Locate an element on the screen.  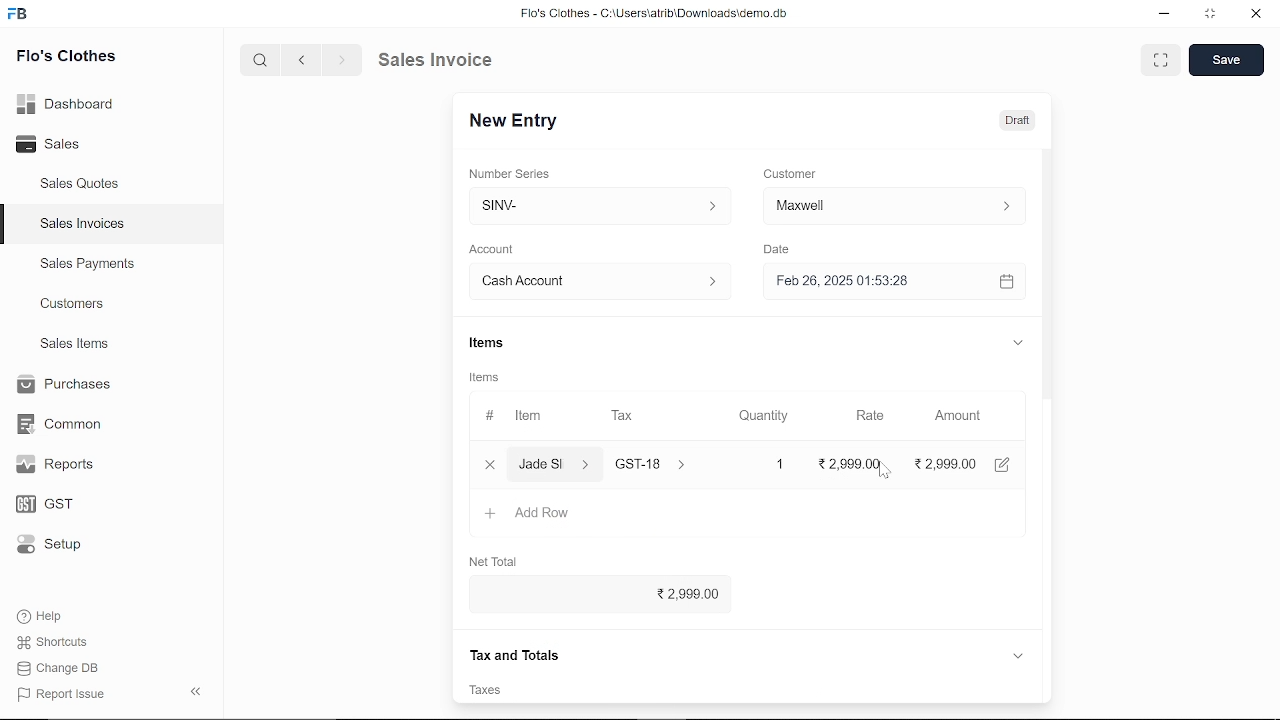
Account is located at coordinates (497, 250).